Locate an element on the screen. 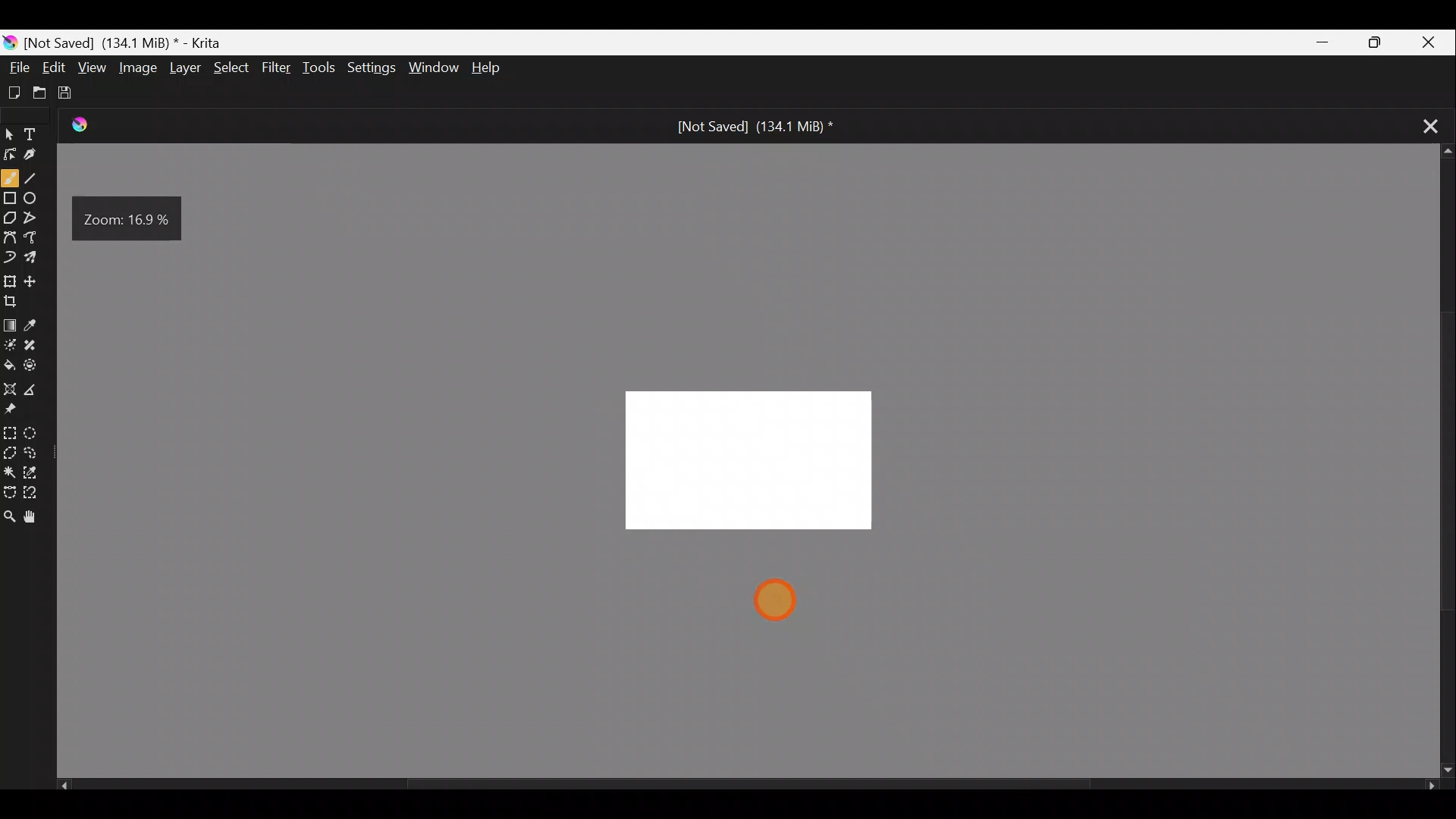 This screenshot has height=819, width=1456. Cursor is located at coordinates (790, 602).